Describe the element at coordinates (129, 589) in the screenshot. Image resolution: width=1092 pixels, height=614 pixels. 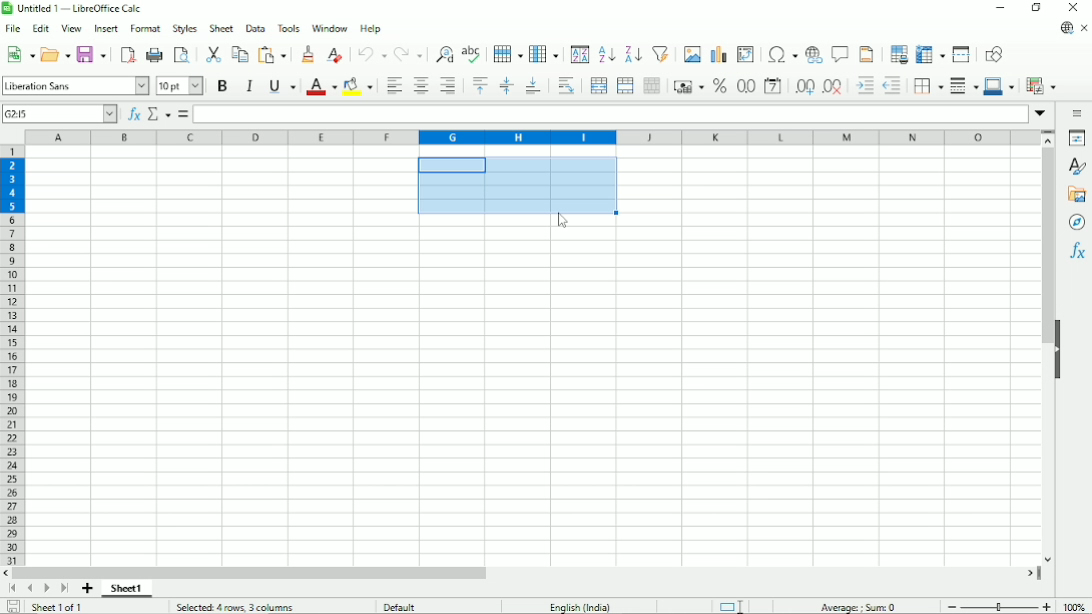
I see `Sheet 1` at that location.